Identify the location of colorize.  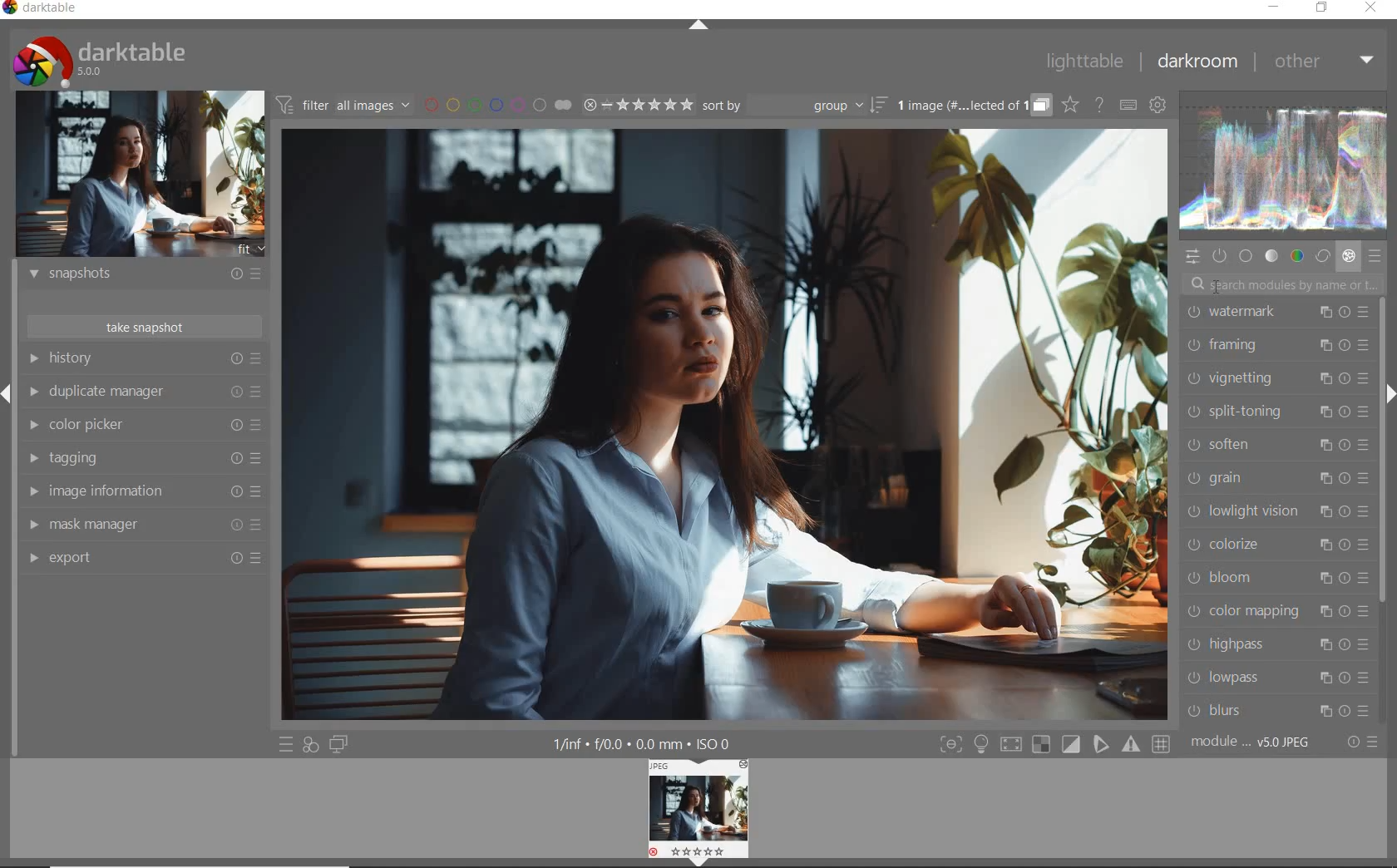
(1276, 545).